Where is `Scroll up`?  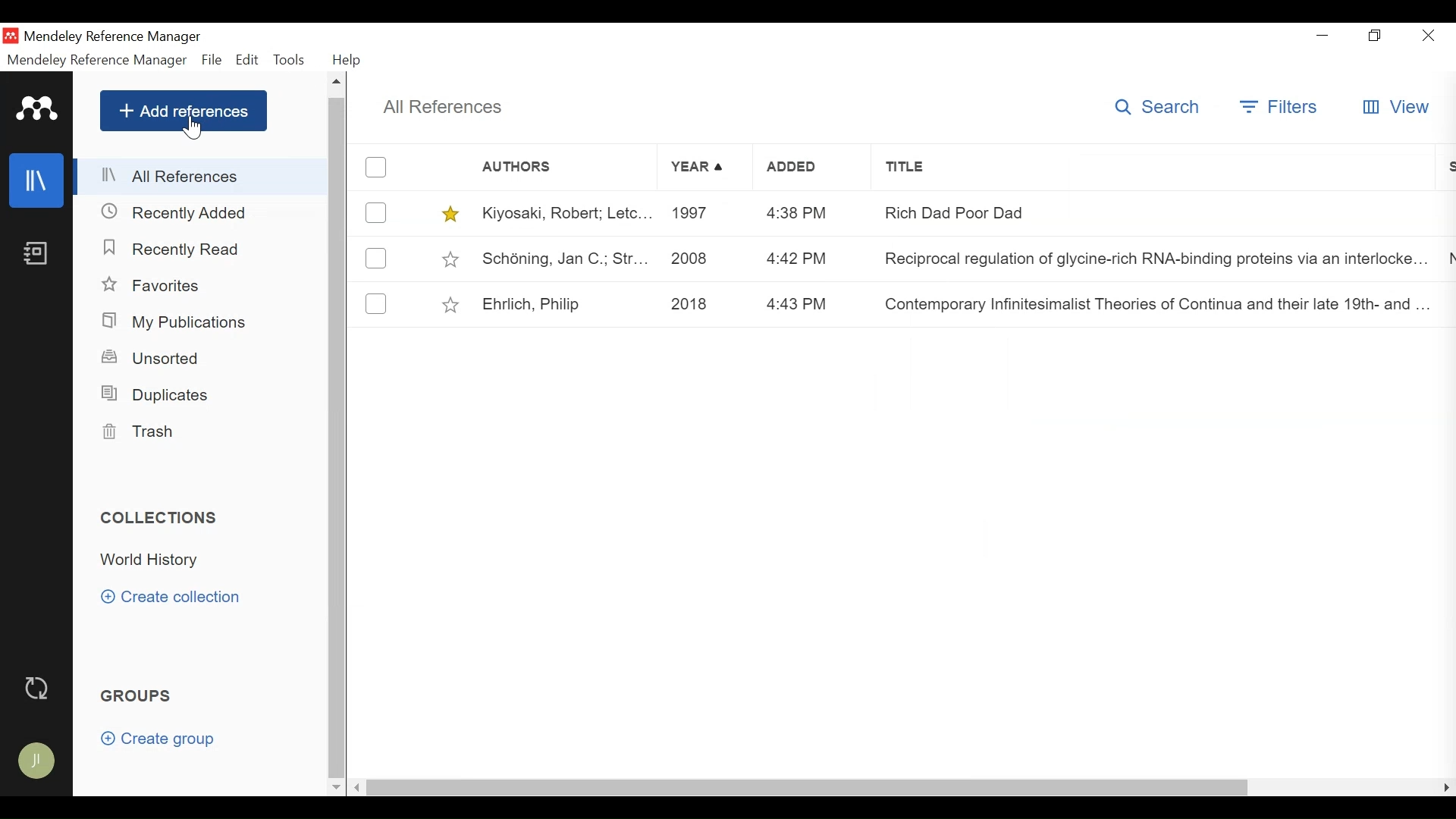 Scroll up is located at coordinates (336, 83).